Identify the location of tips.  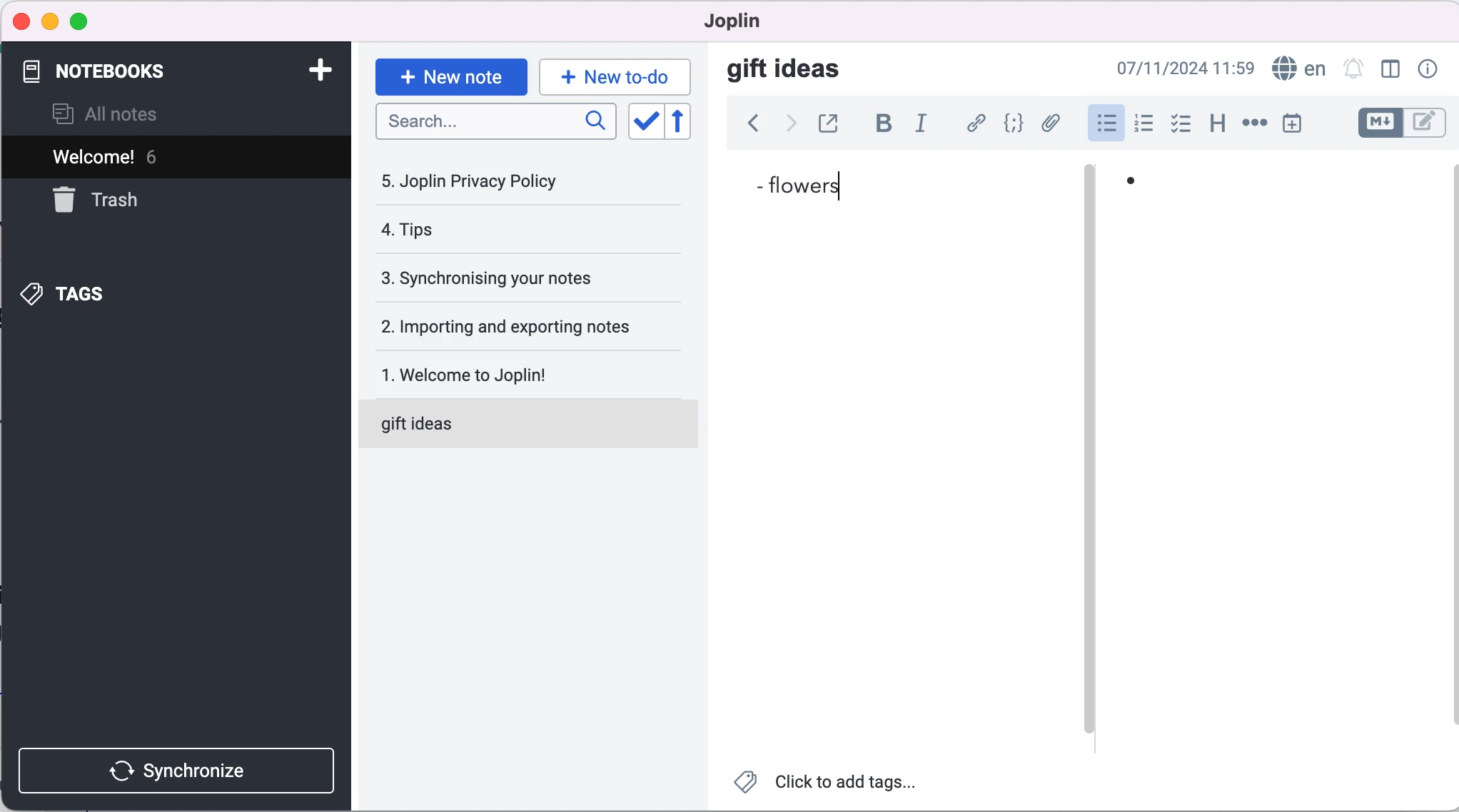
(490, 231).